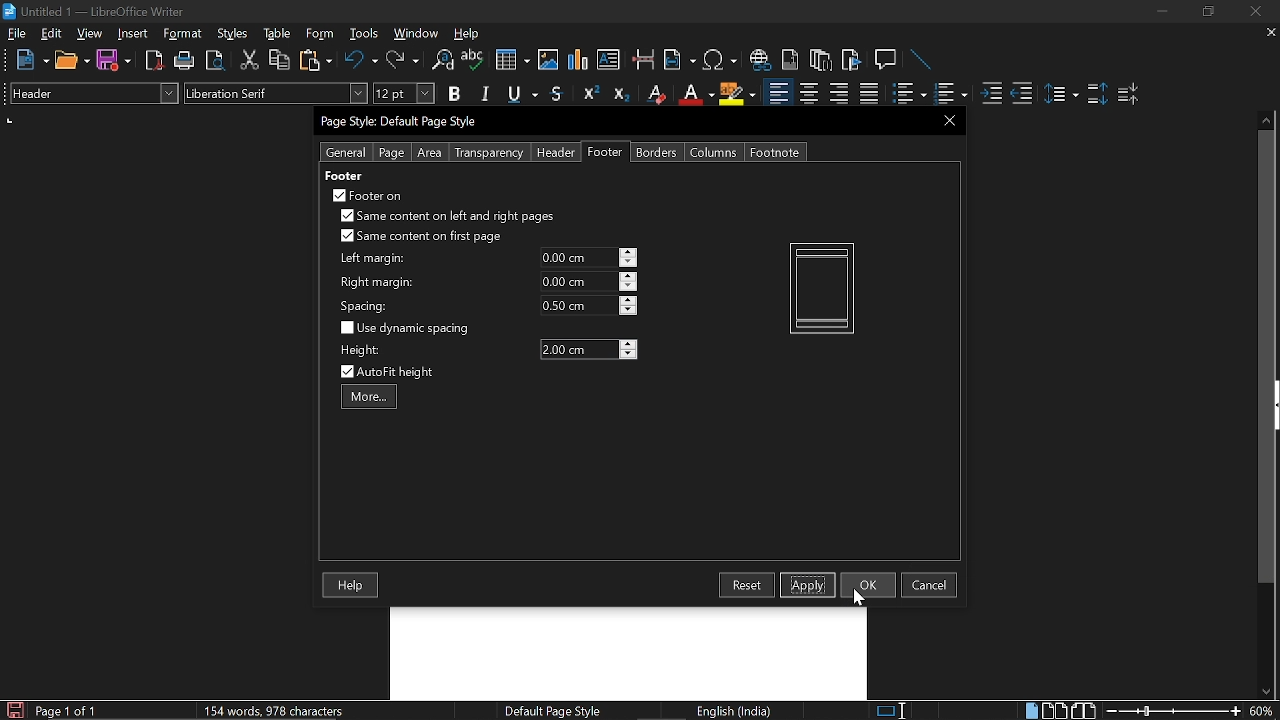  I want to click on Close current tab, so click(1267, 32).